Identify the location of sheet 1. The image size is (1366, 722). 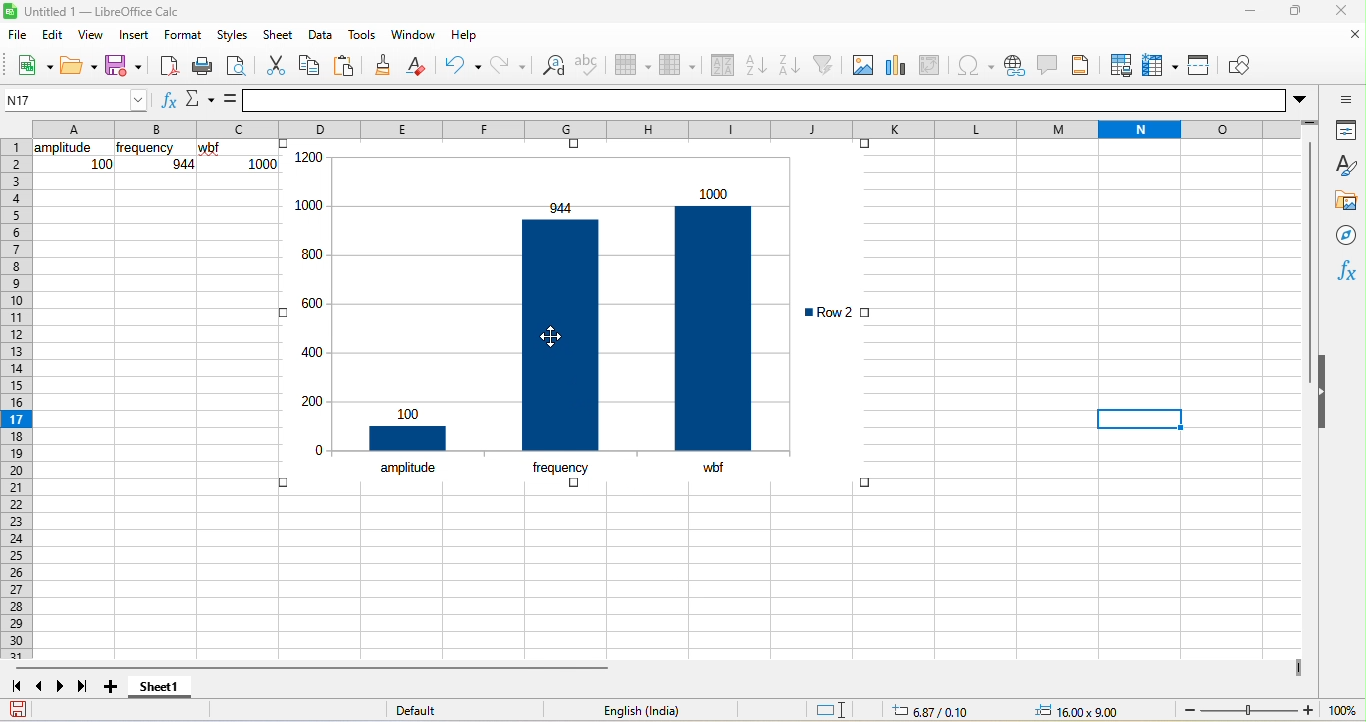
(163, 691).